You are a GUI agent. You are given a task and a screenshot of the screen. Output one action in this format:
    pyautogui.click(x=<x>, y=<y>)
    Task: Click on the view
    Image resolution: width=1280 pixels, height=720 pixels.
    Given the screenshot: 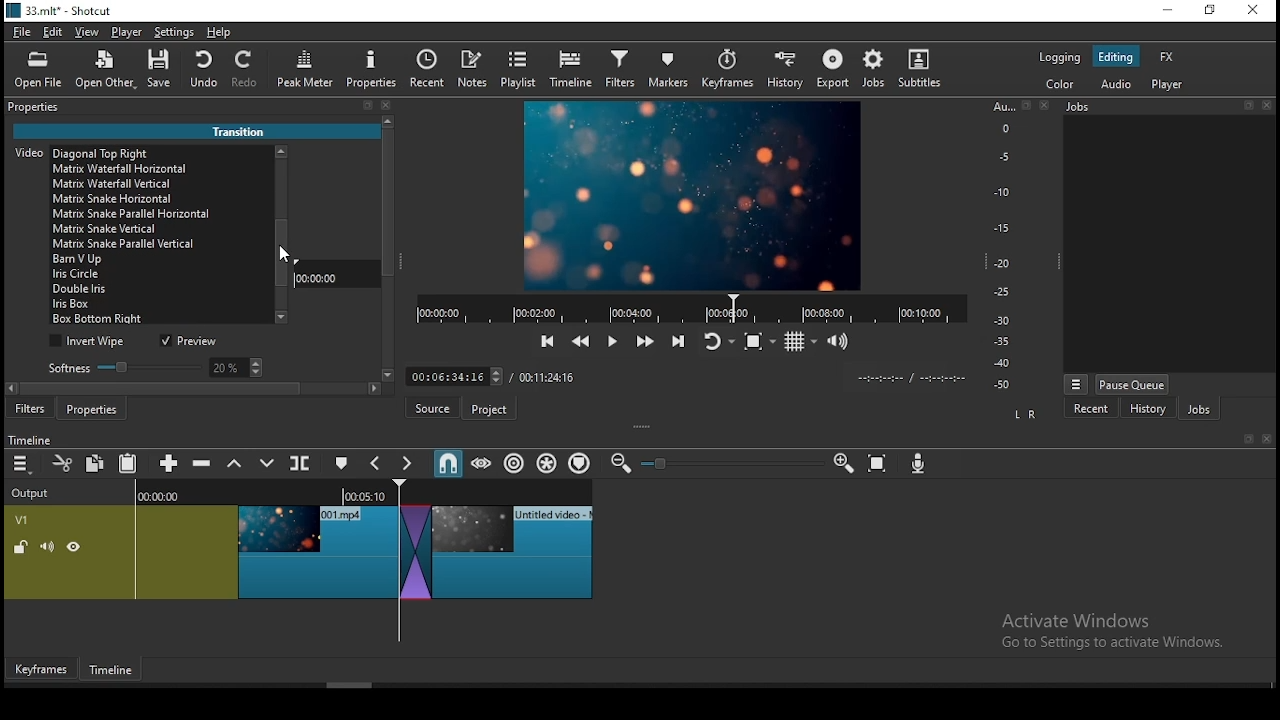 What is the action you would take?
    pyautogui.click(x=90, y=34)
    